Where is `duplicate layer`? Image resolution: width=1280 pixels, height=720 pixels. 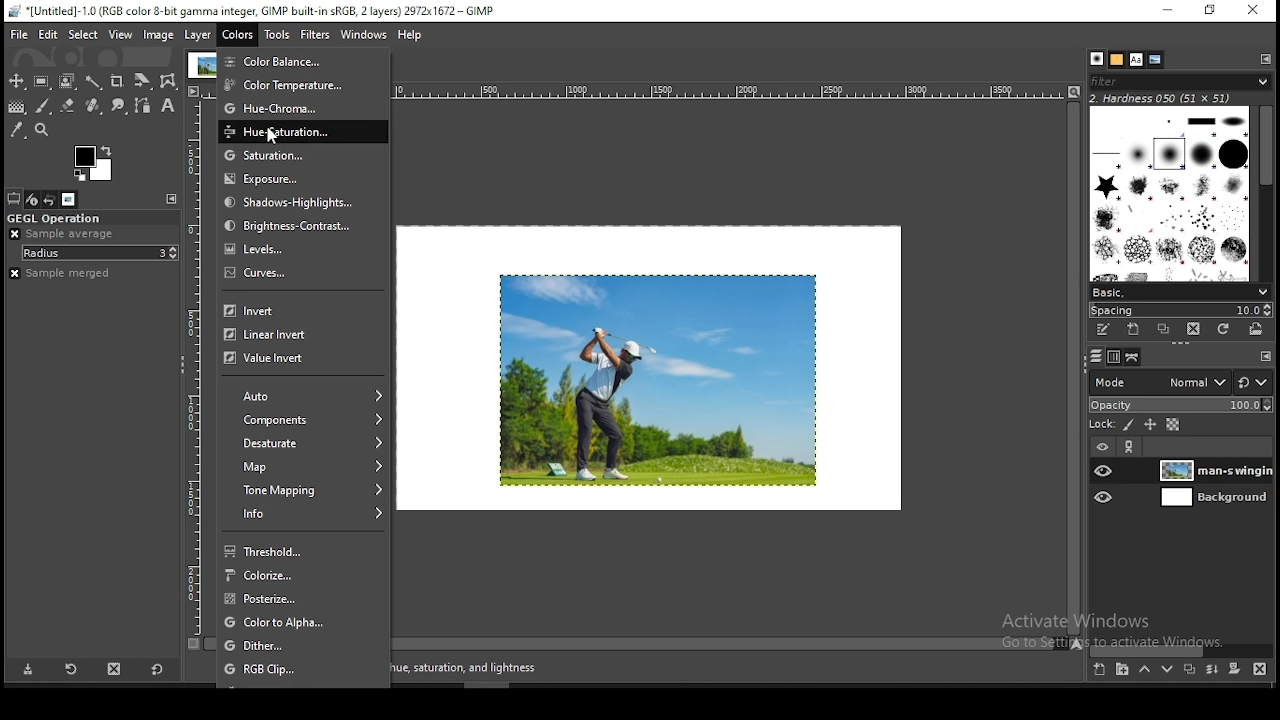 duplicate layer is located at coordinates (1190, 669).